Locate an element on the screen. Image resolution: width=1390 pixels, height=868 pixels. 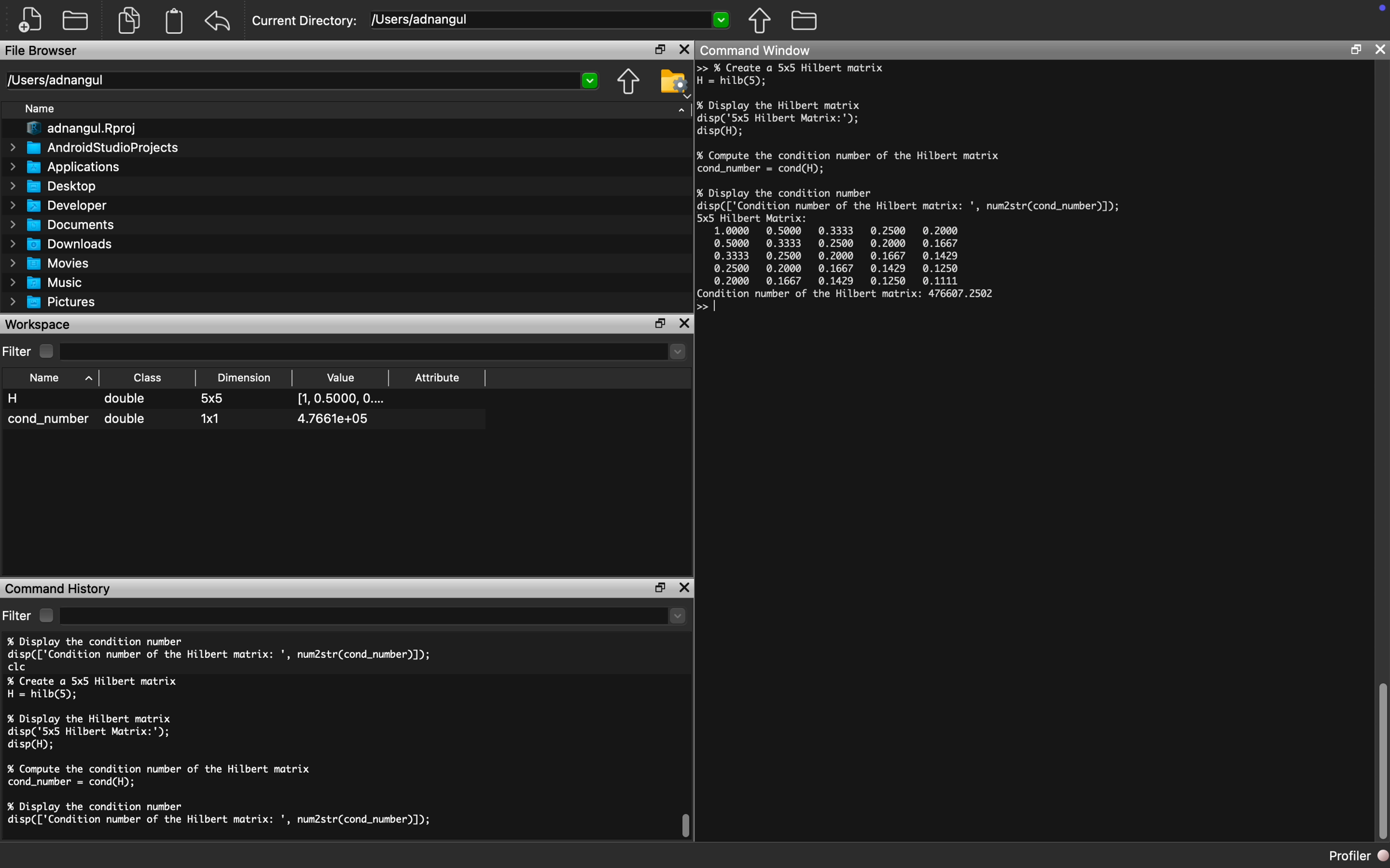
Restore Down is located at coordinates (1356, 48).